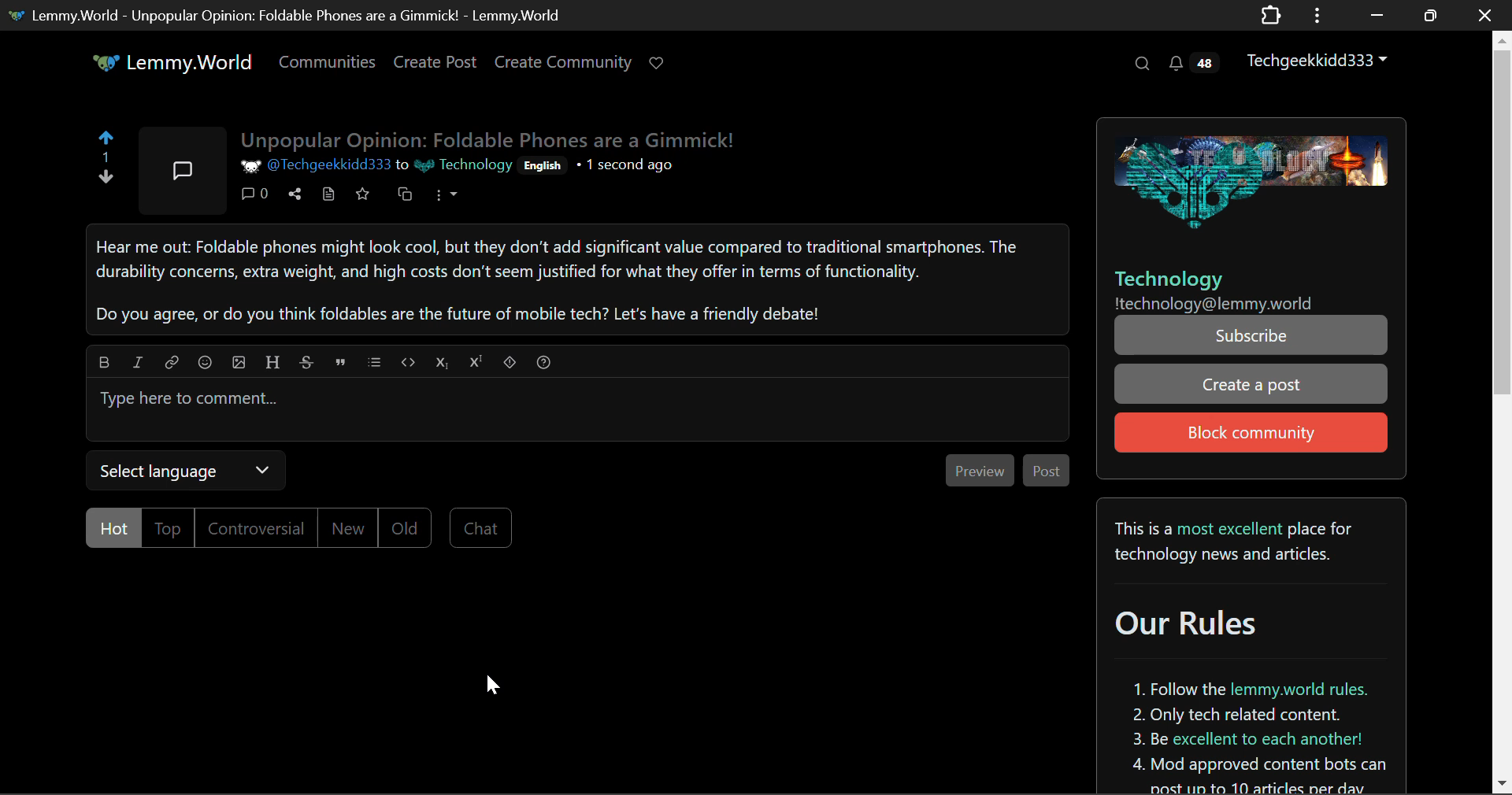 The height and width of the screenshot is (795, 1512). I want to click on View Source, so click(328, 196).